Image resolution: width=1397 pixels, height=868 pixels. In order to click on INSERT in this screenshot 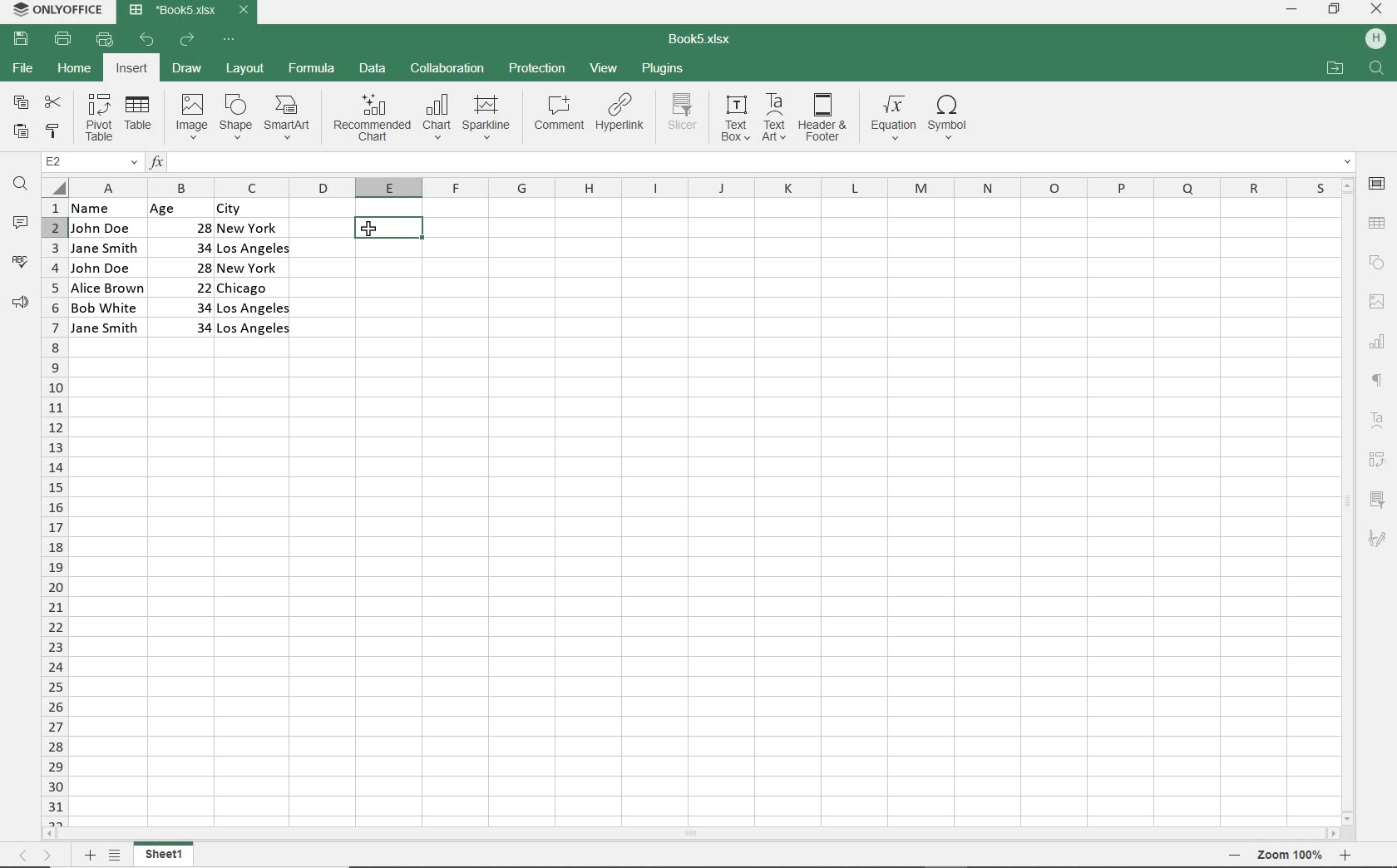, I will do `click(131, 68)`.